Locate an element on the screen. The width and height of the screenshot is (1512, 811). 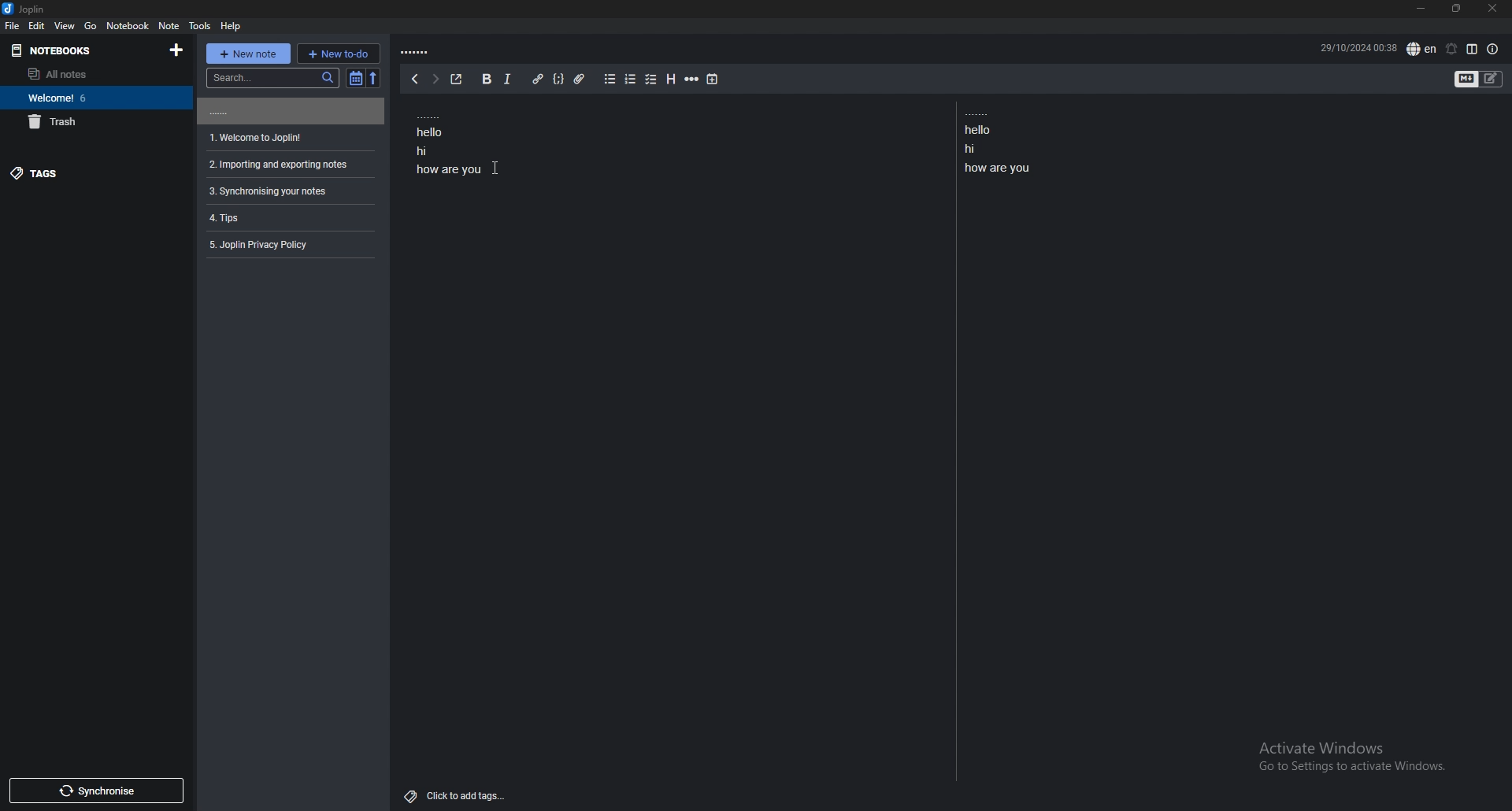
 is located at coordinates (496, 168).